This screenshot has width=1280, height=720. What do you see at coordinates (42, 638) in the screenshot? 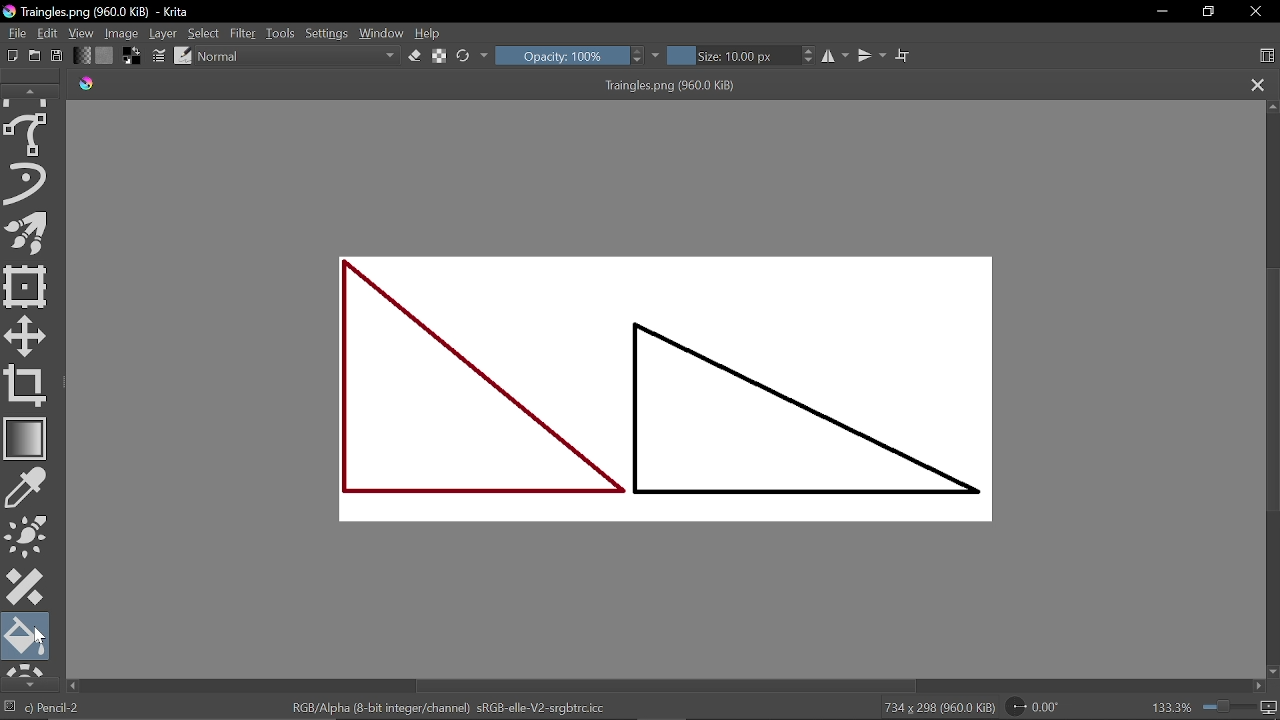
I see `cursor` at bounding box center [42, 638].